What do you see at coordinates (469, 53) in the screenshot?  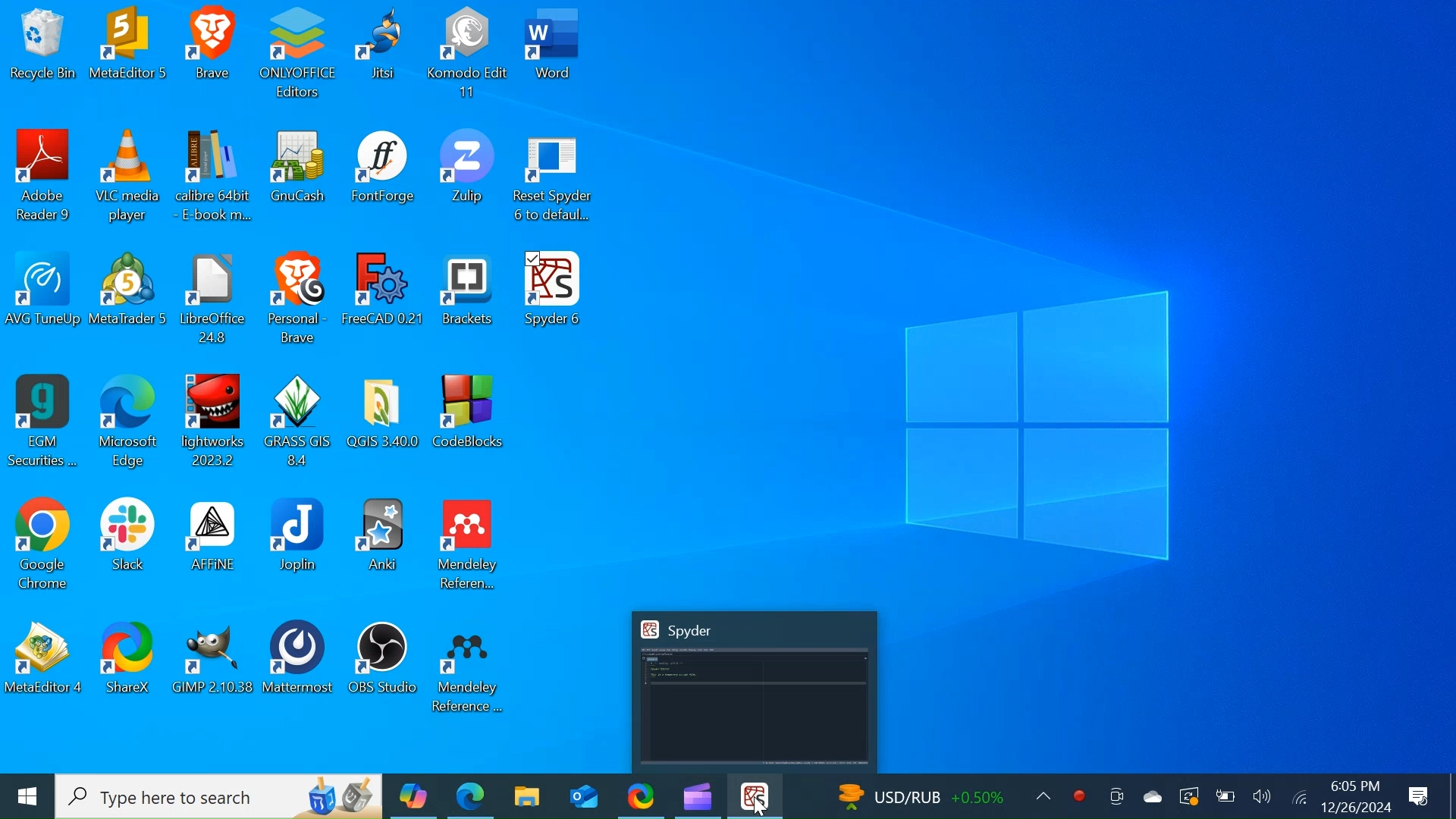 I see `Komodo Edit Desktop Icon` at bounding box center [469, 53].